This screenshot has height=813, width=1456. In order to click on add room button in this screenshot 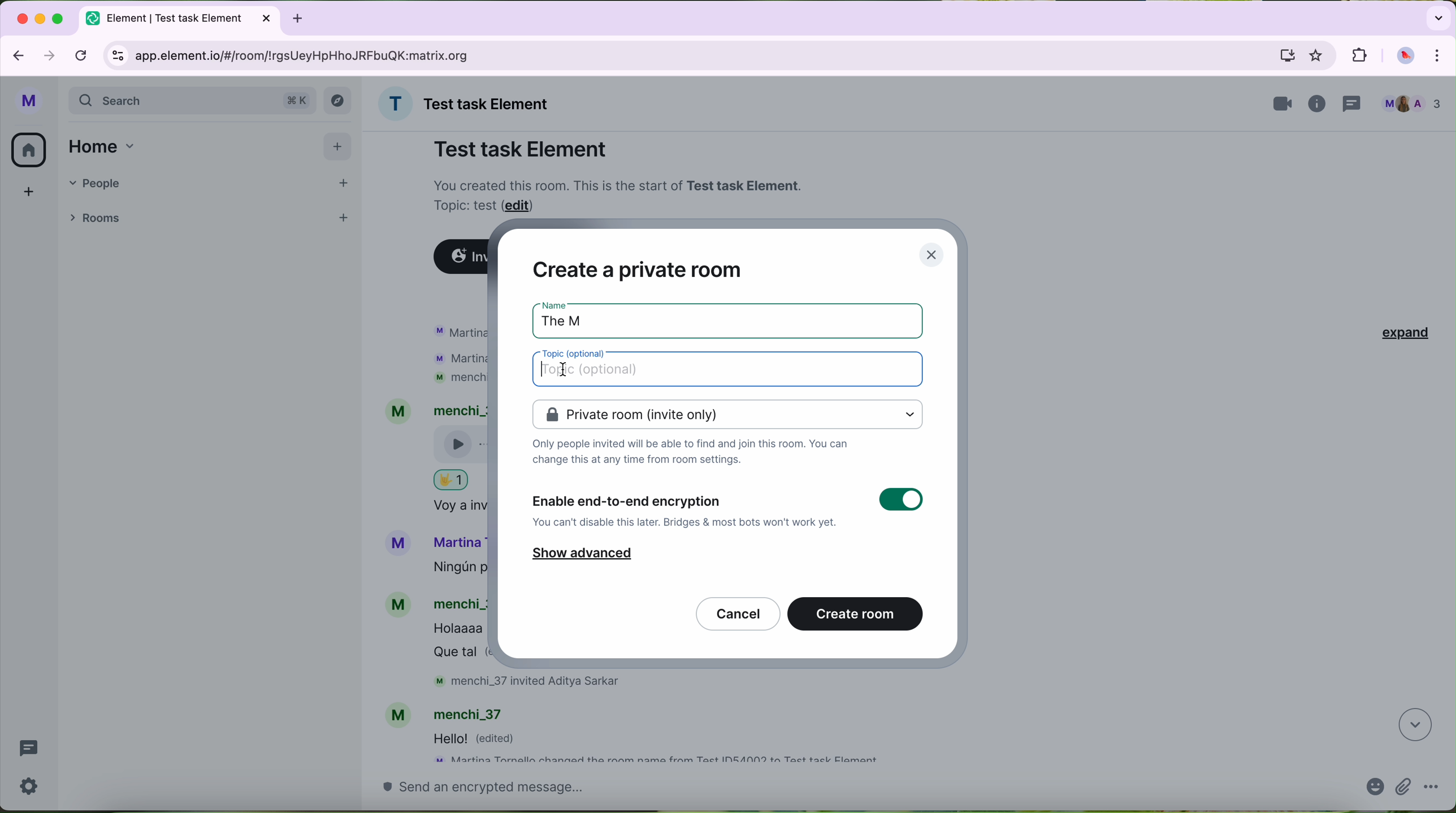, I will do `click(343, 215)`.